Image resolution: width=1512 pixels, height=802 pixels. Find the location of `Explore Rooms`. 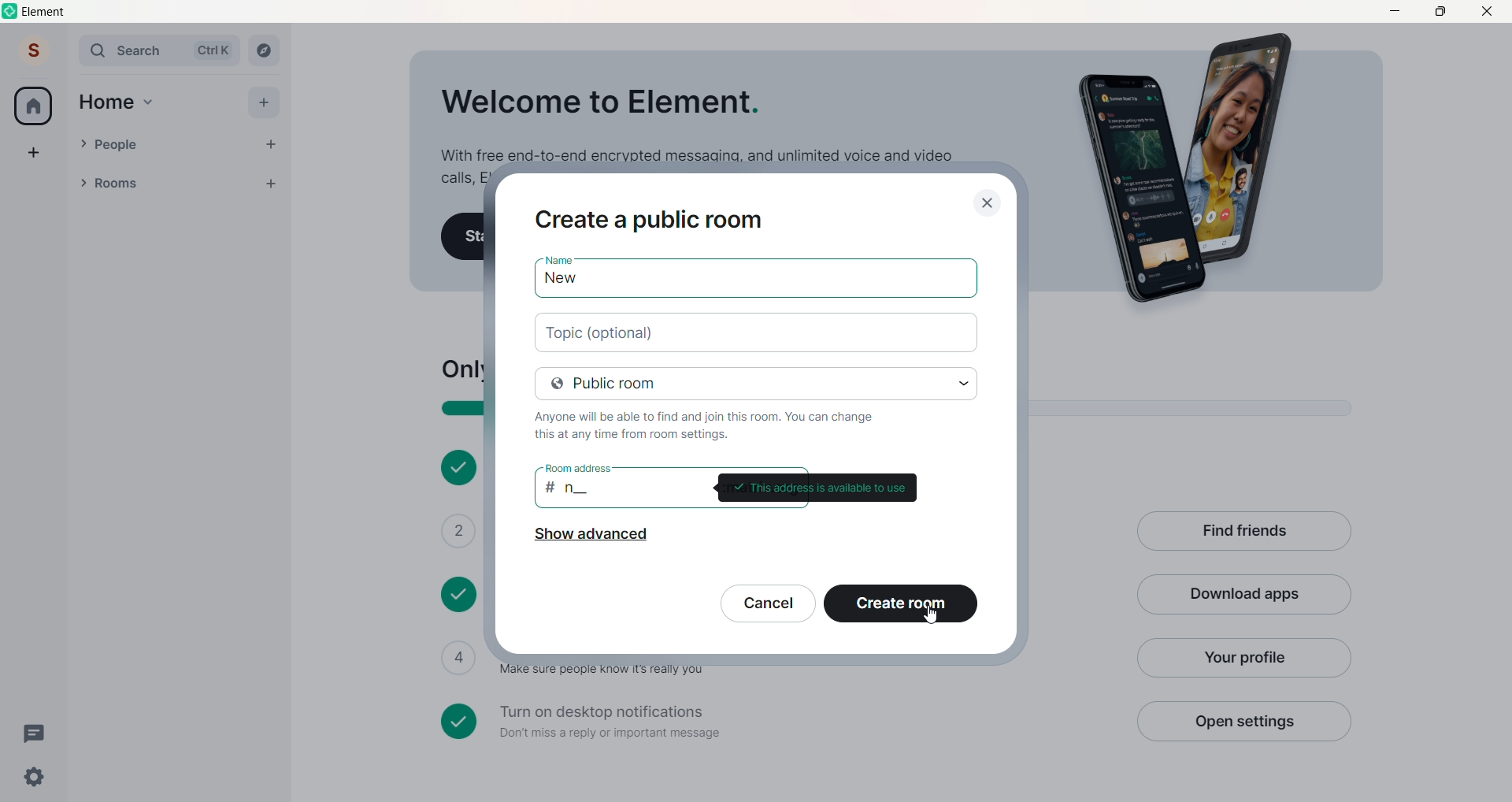

Explore Rooms is located at coordinates (265, 50).